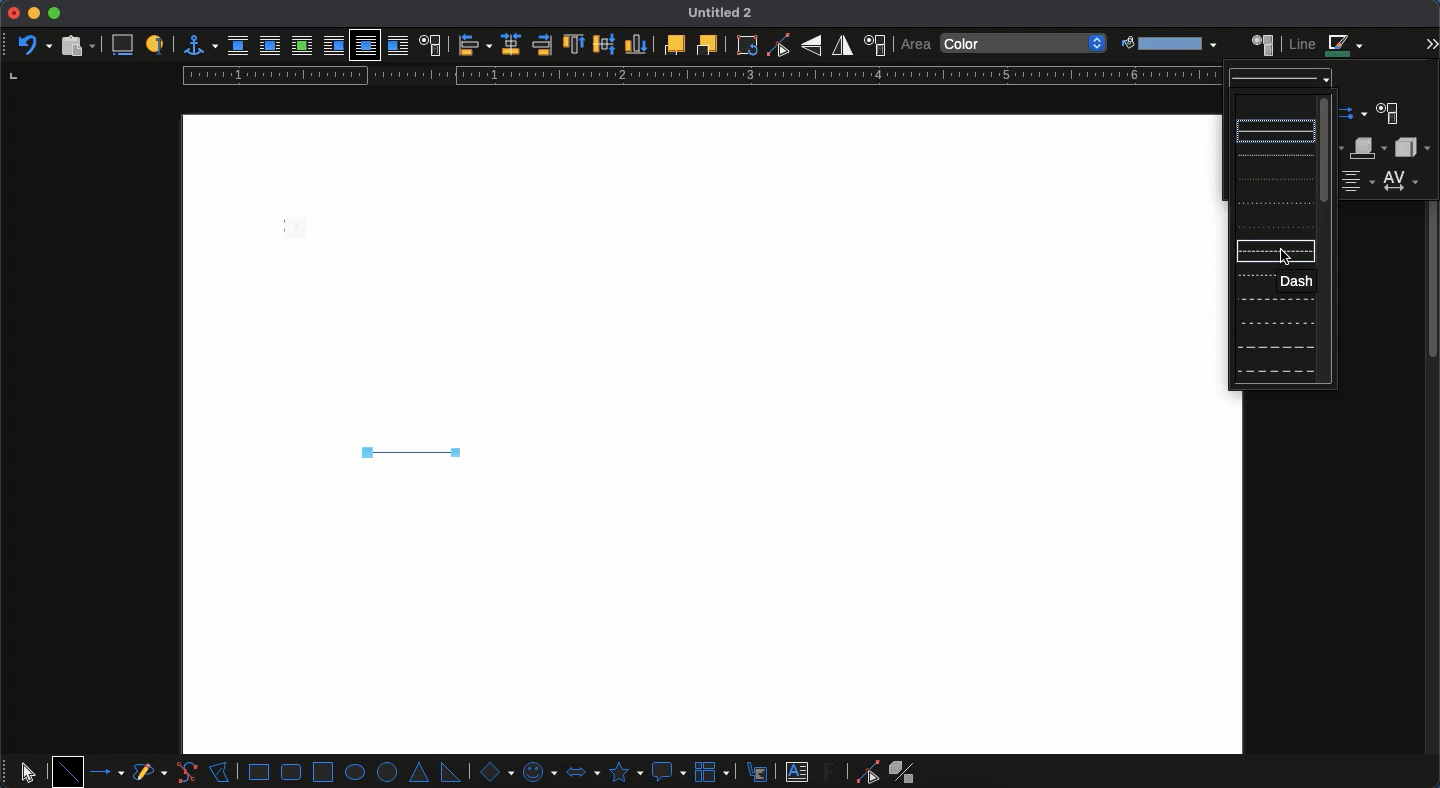 The width and height of the screenshot is (1440, 788). Describe the element at coordinates (1356, 114) in the screenshot. I see `start and end arrow heads` at that location.